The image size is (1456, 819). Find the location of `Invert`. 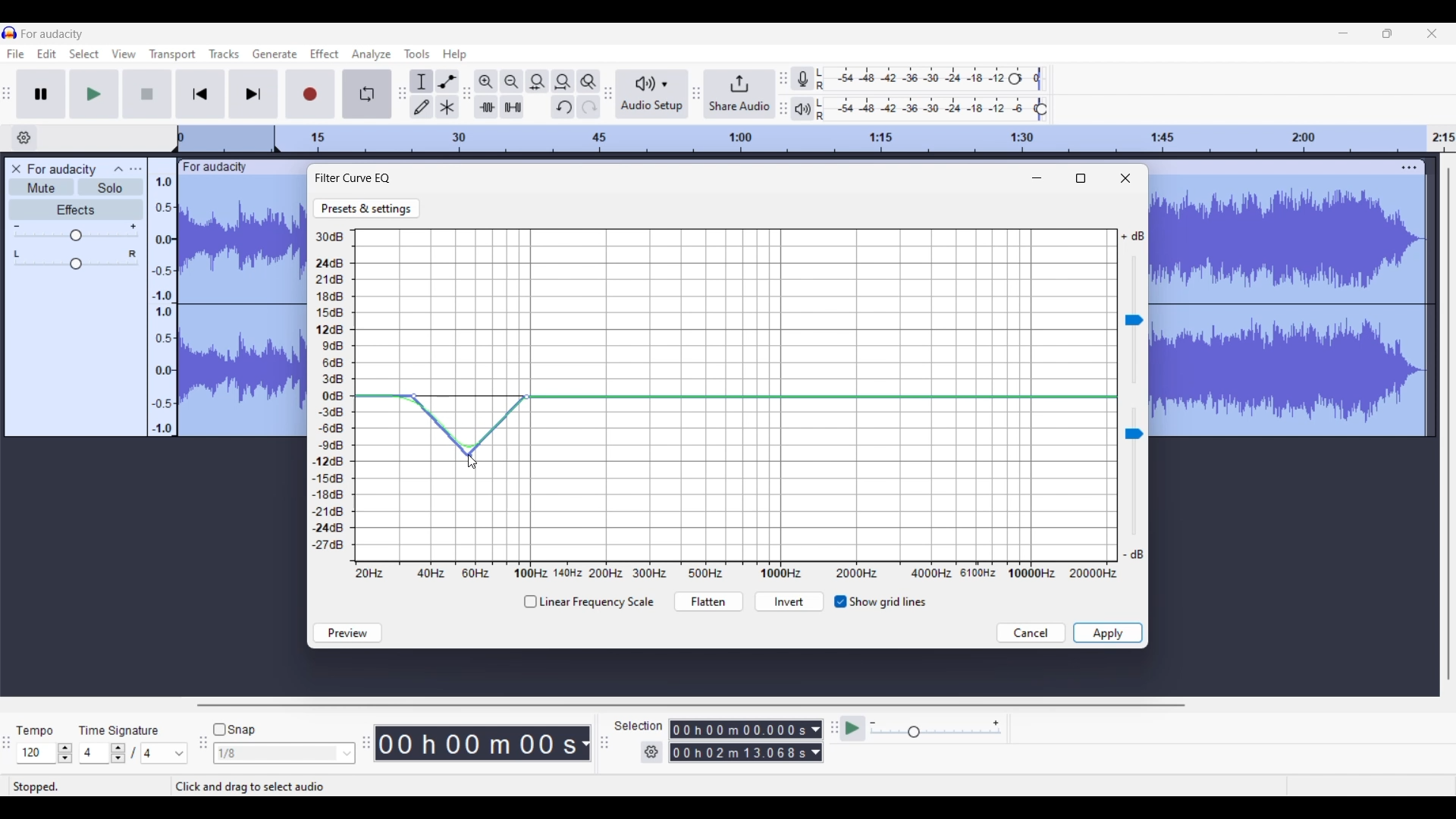

Invert is located at coordinates (789, 603).